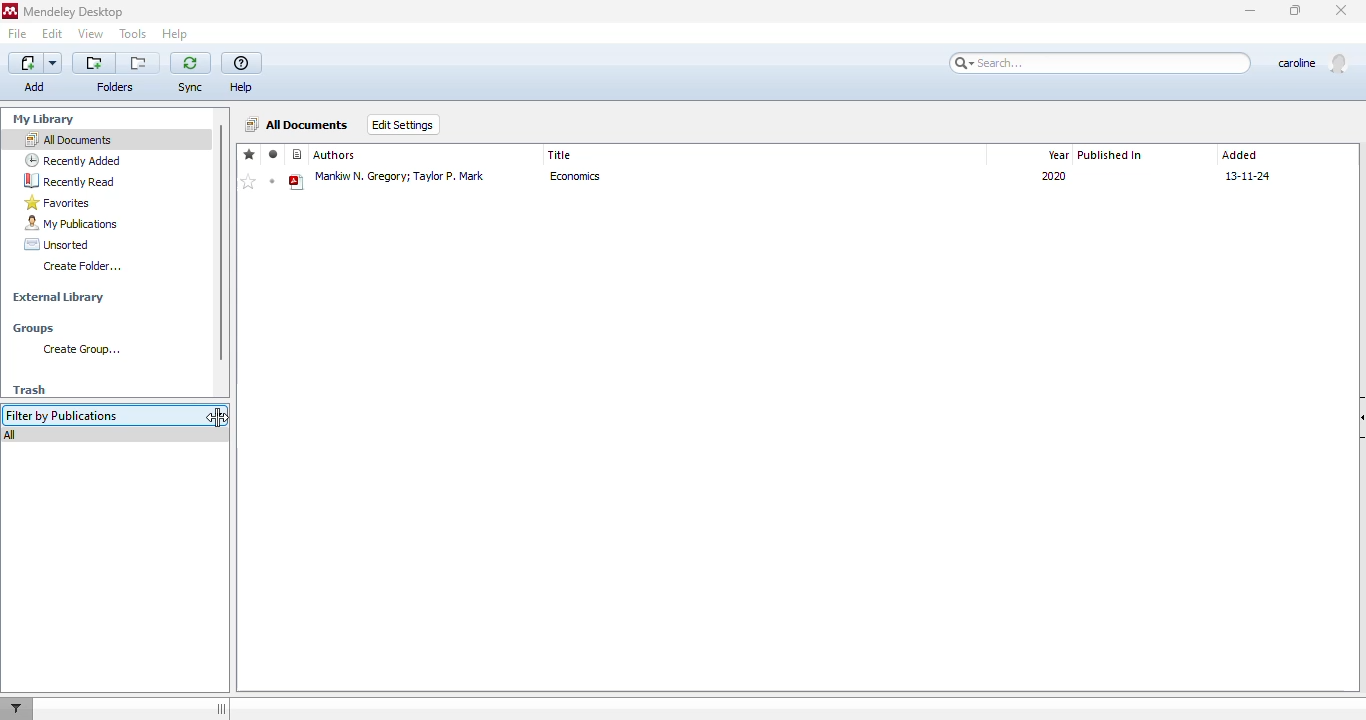 This screenshot has height=720, width=1366. I want to click on vertical scroll bar, so click(221, 242).